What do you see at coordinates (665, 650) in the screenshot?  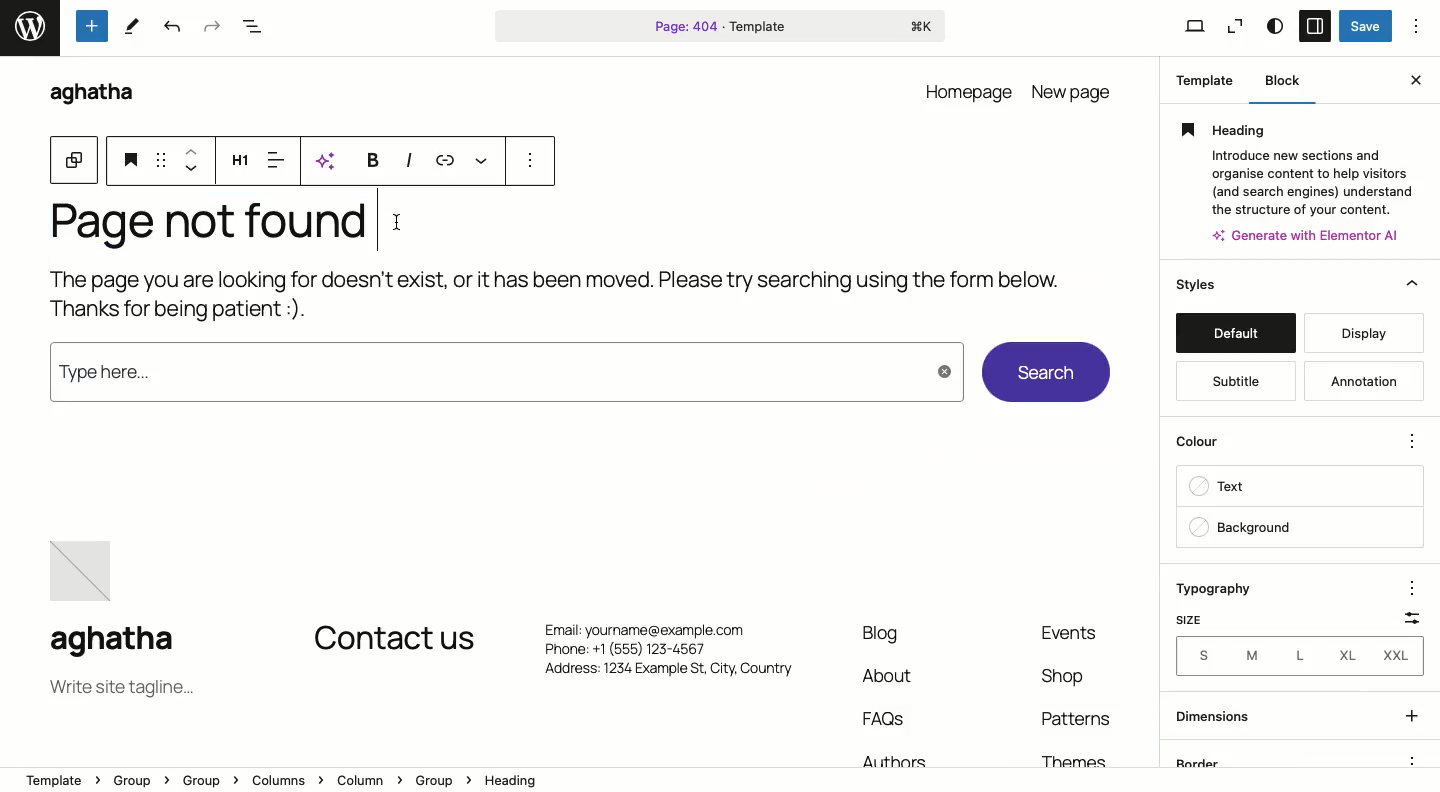 I see `Phone: +1 (555) 123-4567` at bounding box center [665, 650].